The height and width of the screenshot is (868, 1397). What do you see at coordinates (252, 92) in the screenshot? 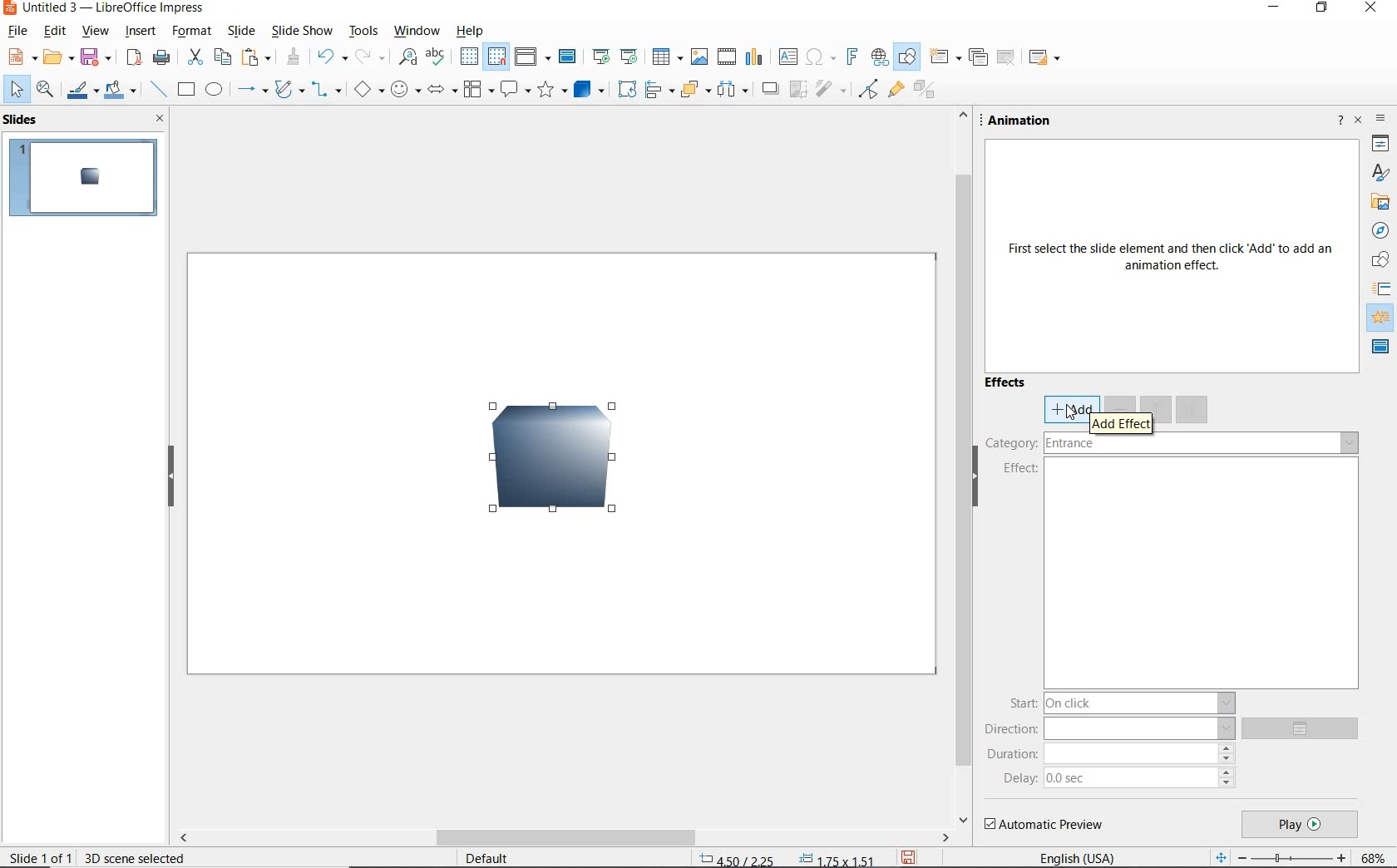
I see `lines and arrows` at bounding box center [252, 92].